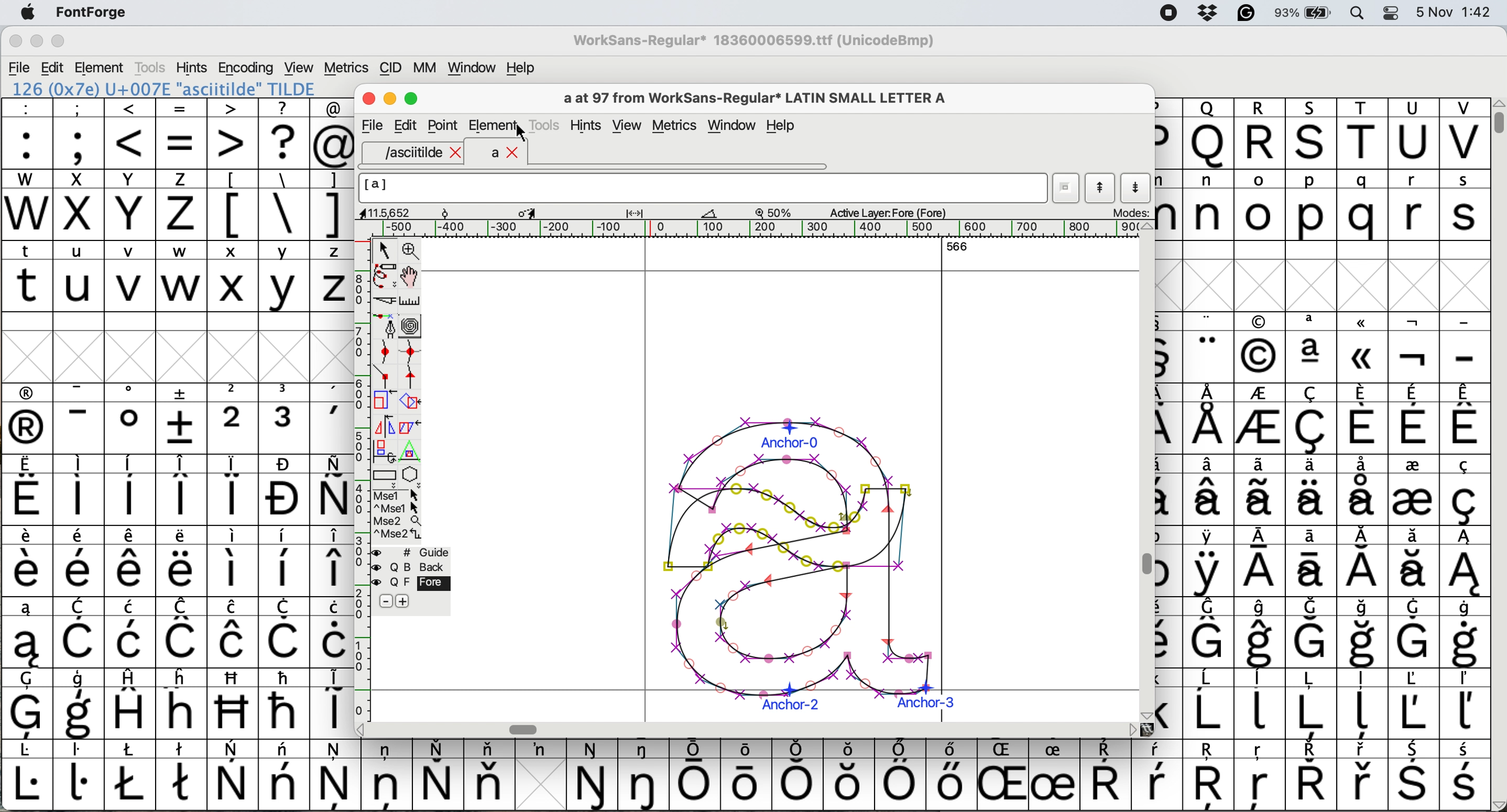 The image size is (1507, 812). What do you see at coordinates (1365, 634) in the screenshot?
I see `symbol` at bounding box center [1365, 634].